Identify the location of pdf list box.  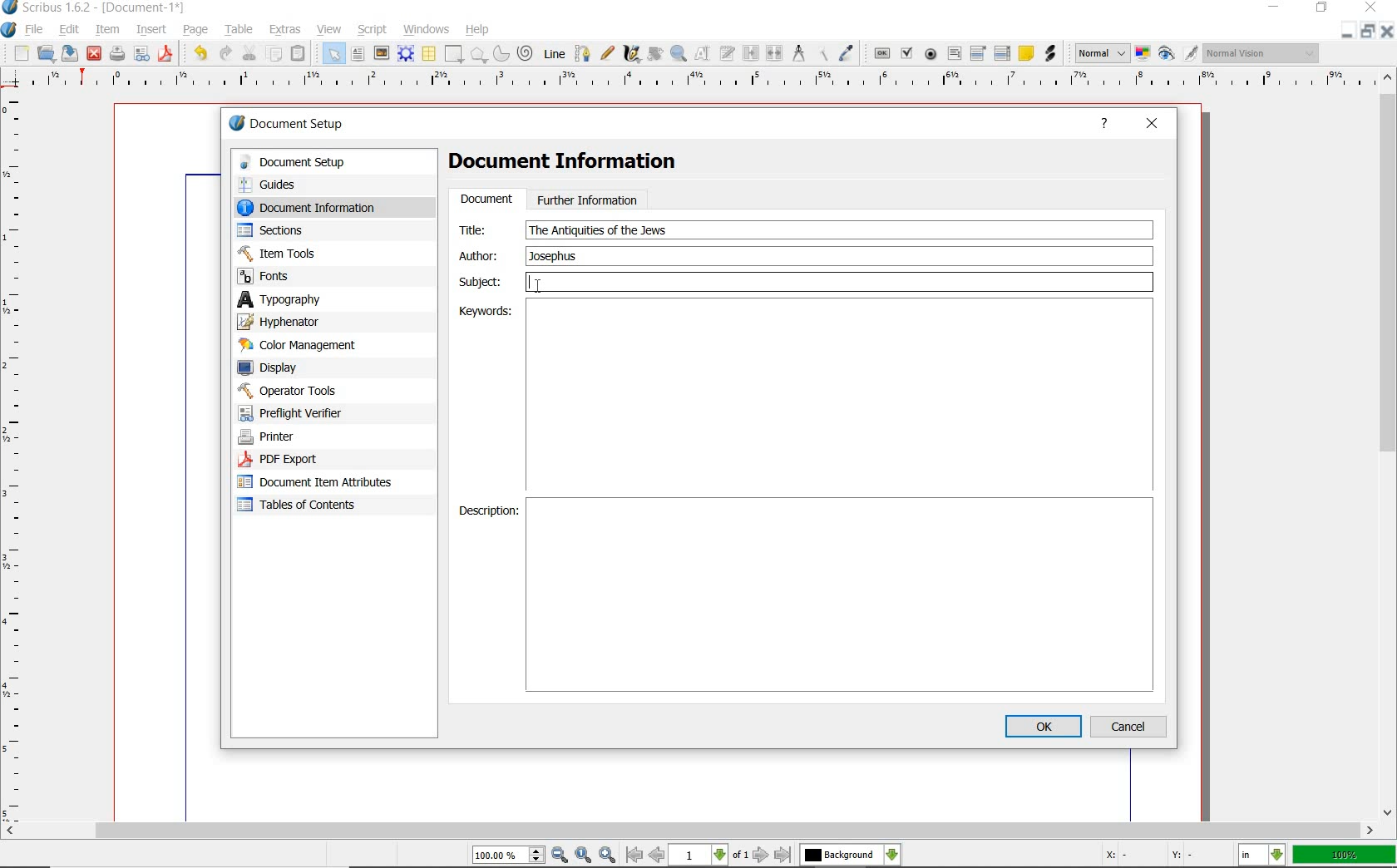
(1001, 53).